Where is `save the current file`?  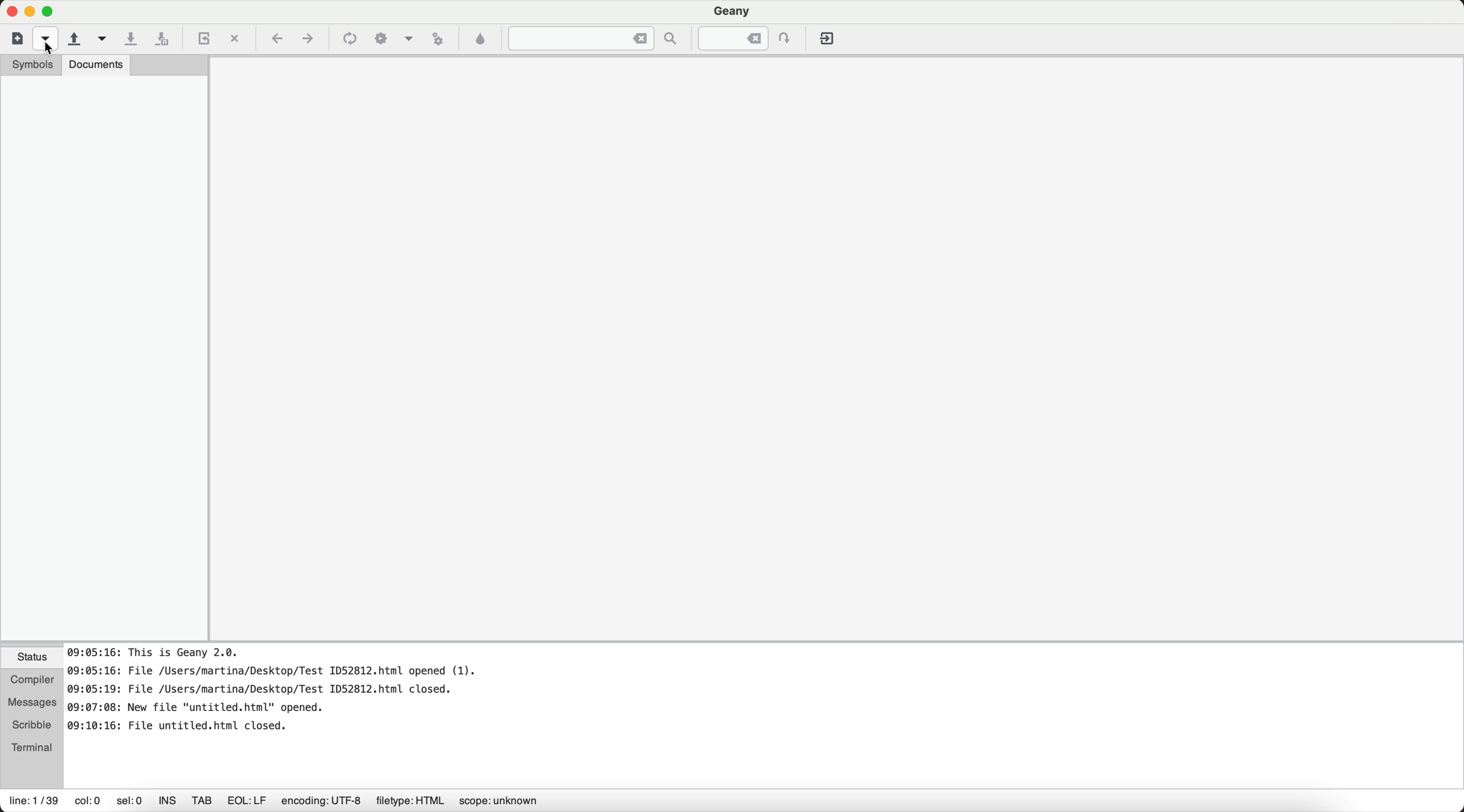 save the current file is located at coordinates (132, 39).